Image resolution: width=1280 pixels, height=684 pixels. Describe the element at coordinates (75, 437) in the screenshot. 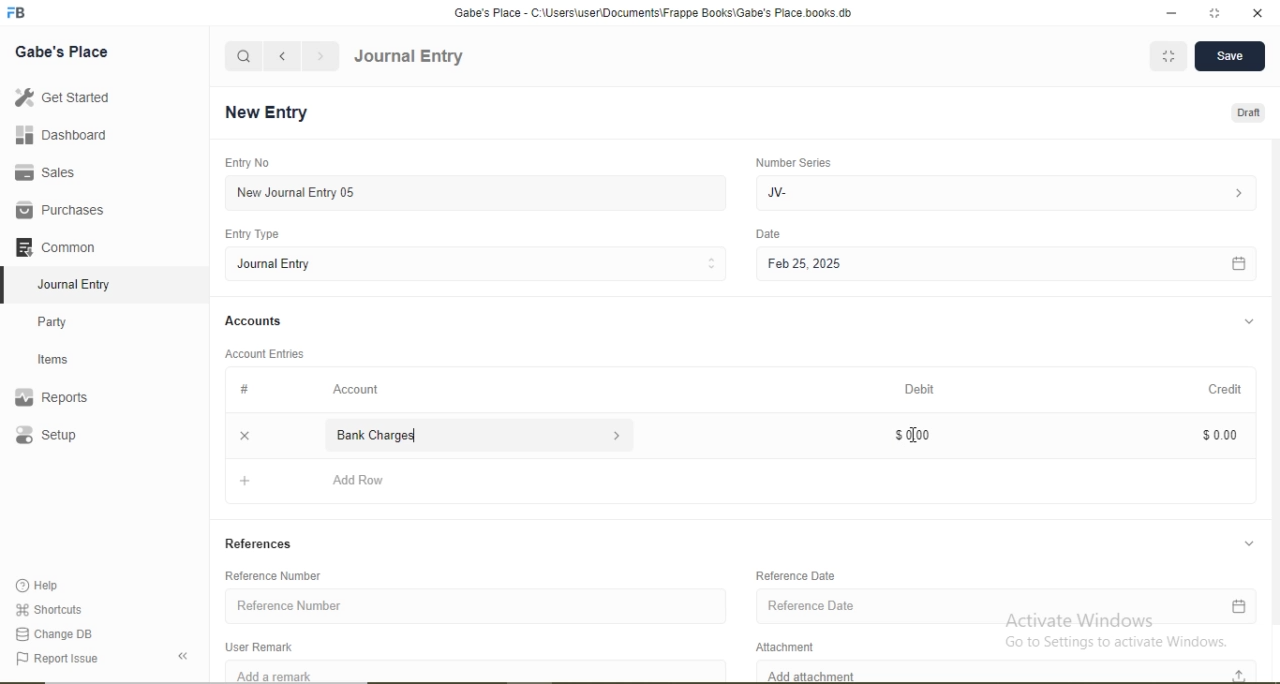

I see `Setup` at that location.